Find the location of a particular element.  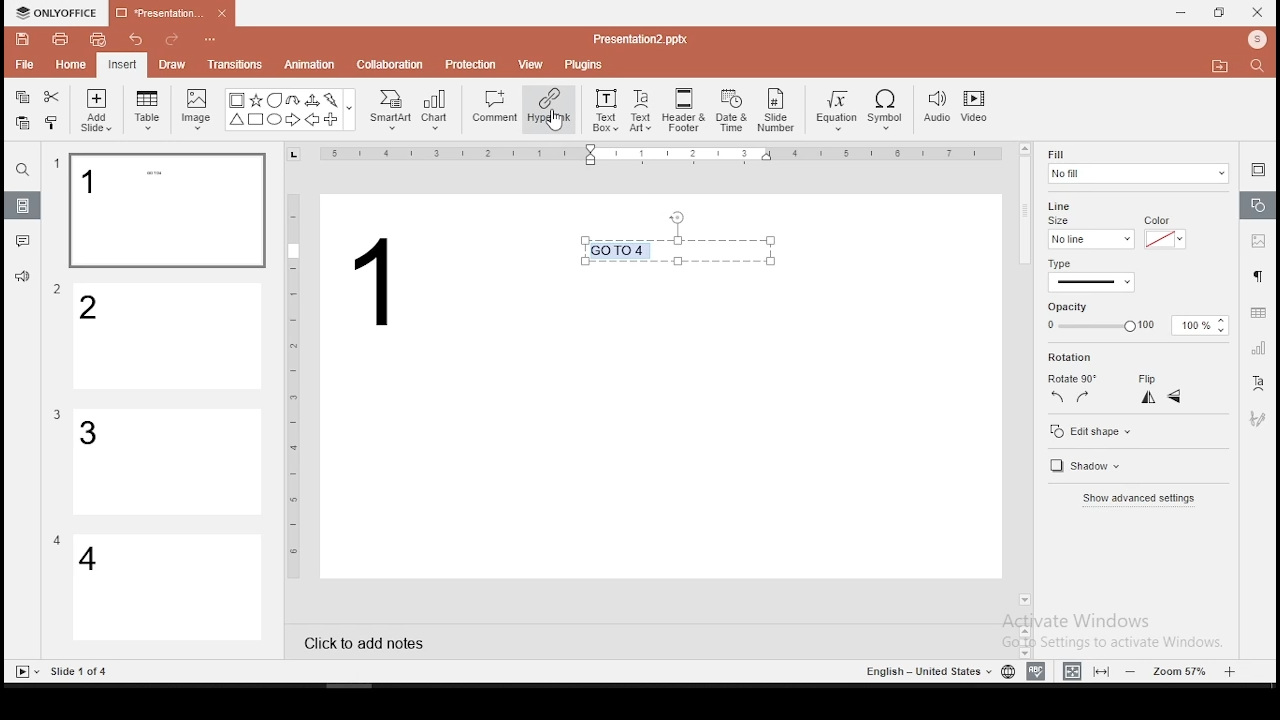

slide 4 is located at coordinates (168, 589).